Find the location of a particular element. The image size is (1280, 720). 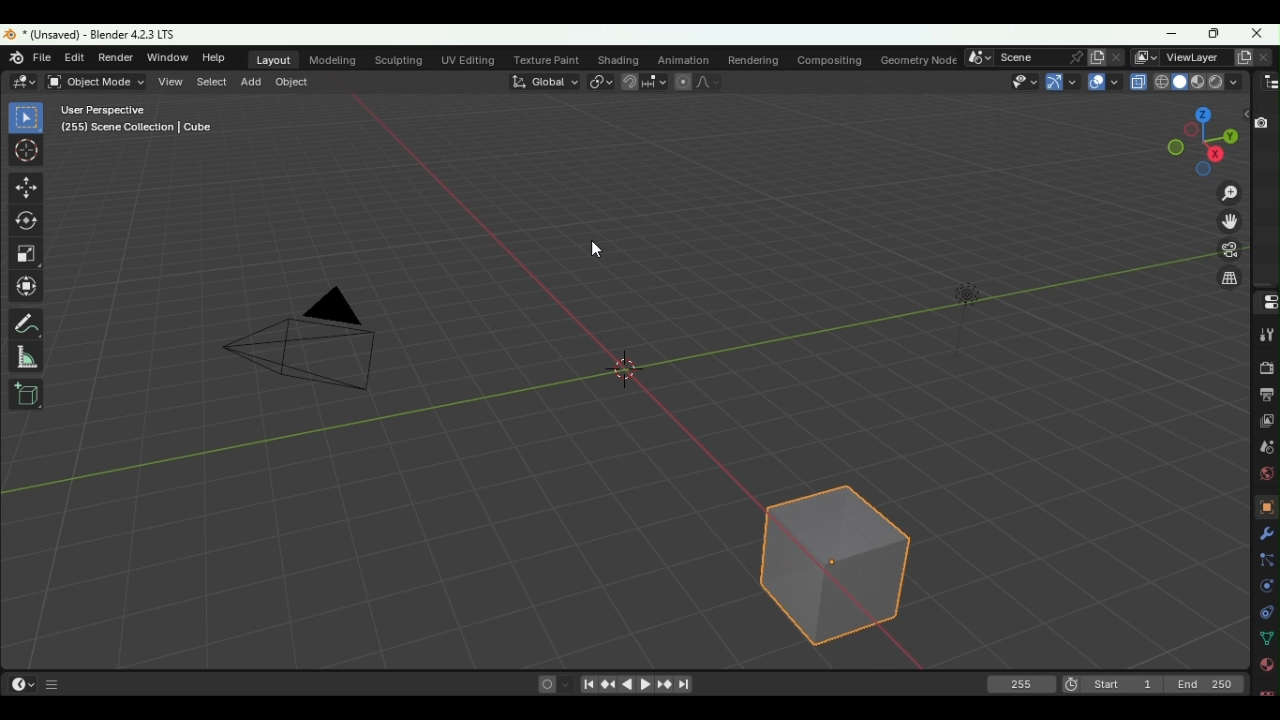

Close is located at coordinates (1258, 31).